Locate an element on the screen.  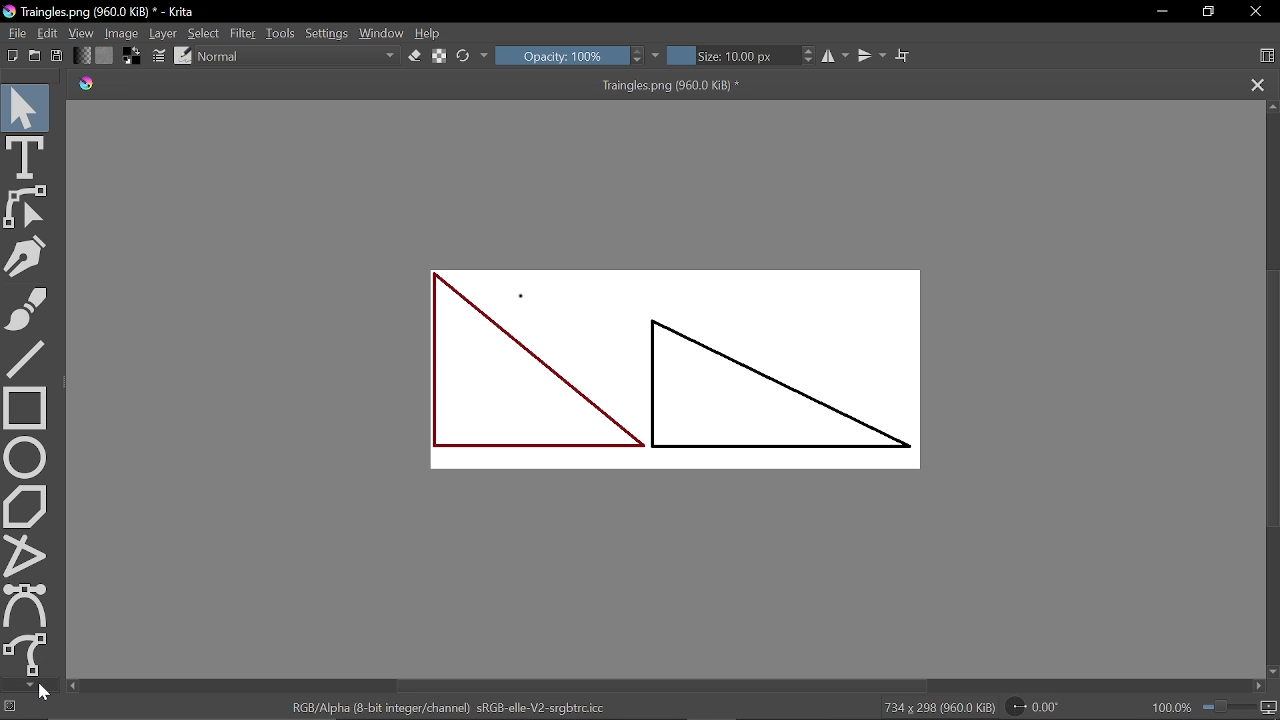
Layer is located at coordinates (162, 32).